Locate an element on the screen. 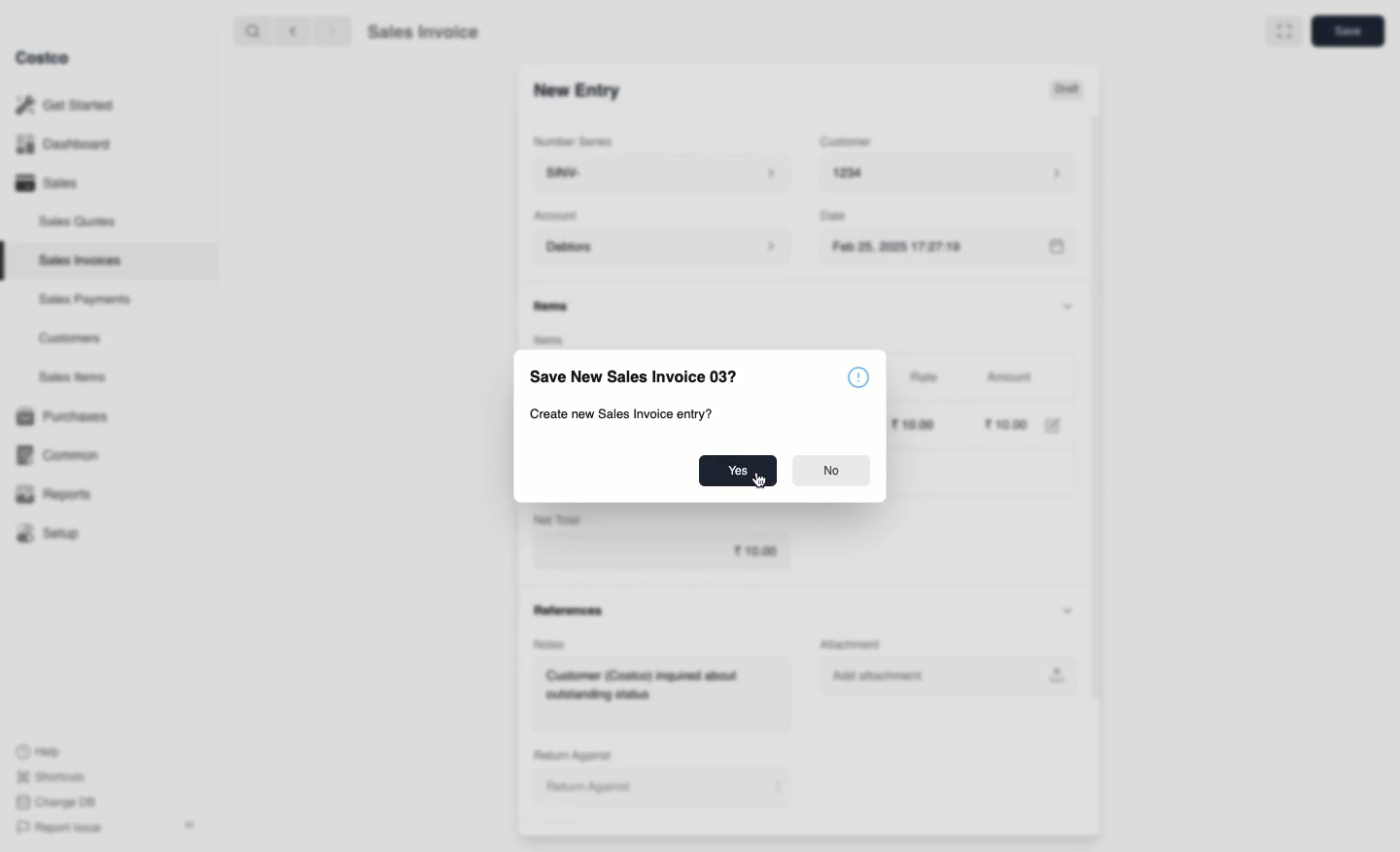 This screenshot has height=852, width=1400. Yes is located at coordinates (736, 472).